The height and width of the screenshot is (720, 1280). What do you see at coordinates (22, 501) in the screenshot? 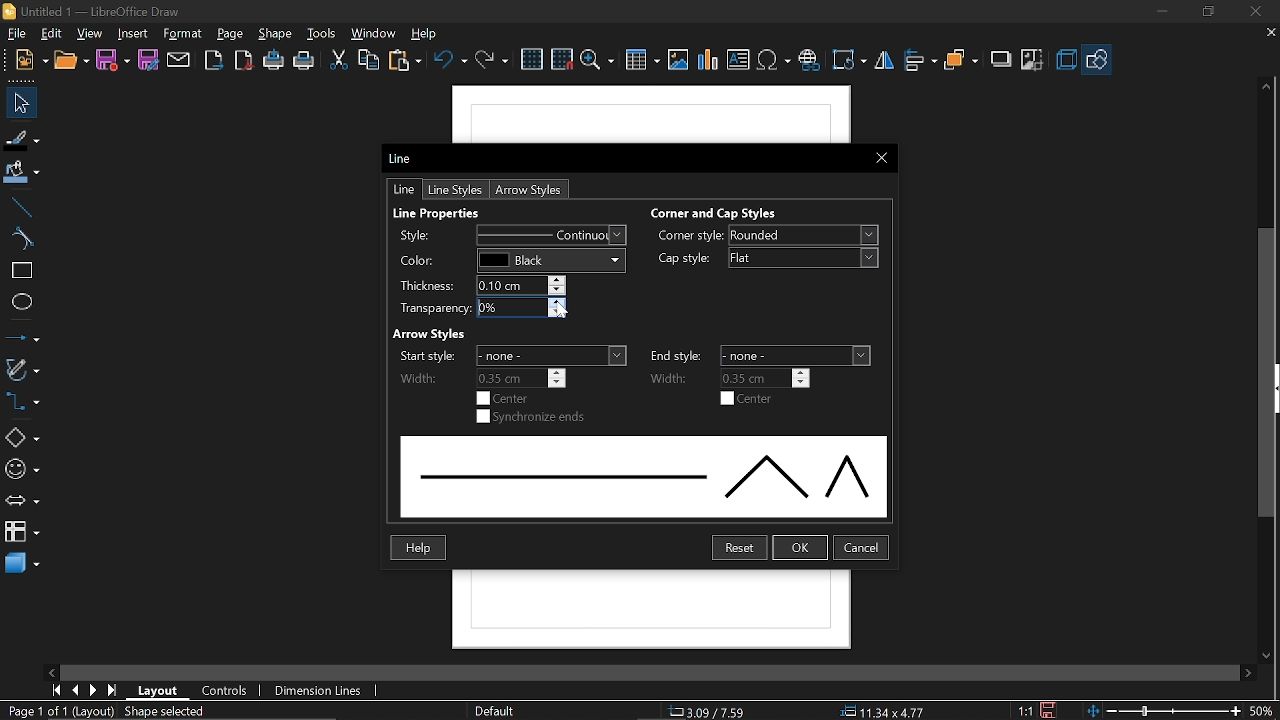
I see `arrows` at bounding box center [22, 501].